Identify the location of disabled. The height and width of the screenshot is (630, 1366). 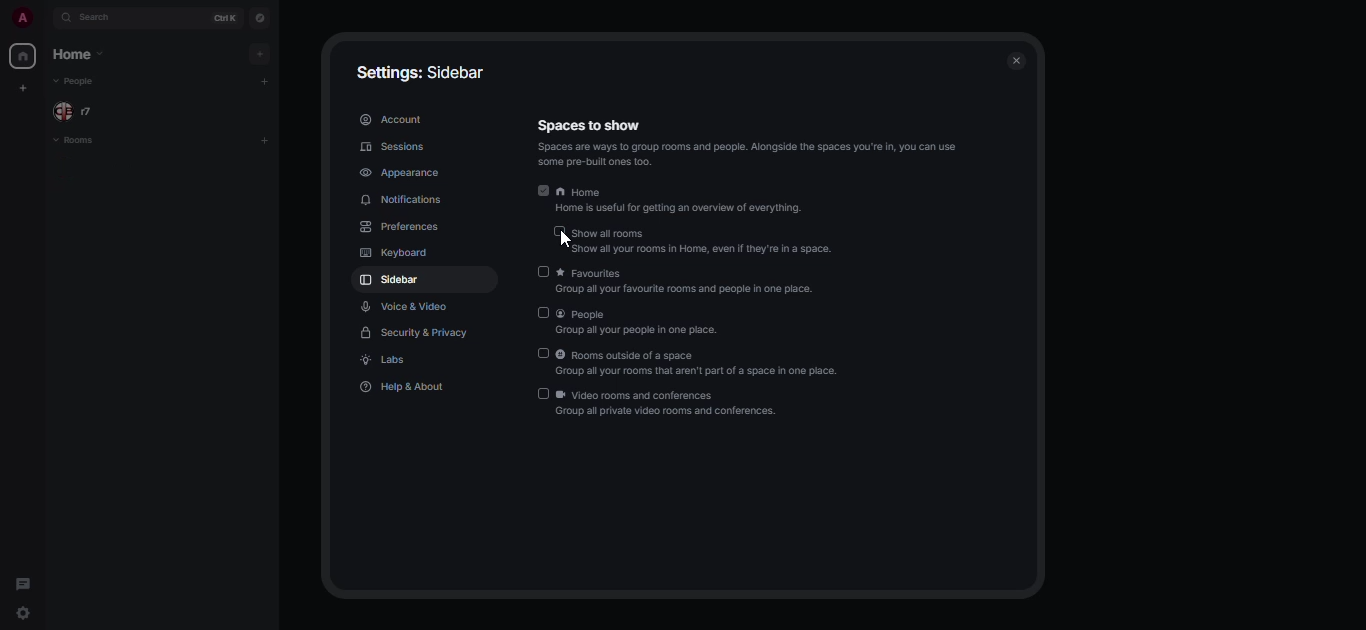
(560, 231).